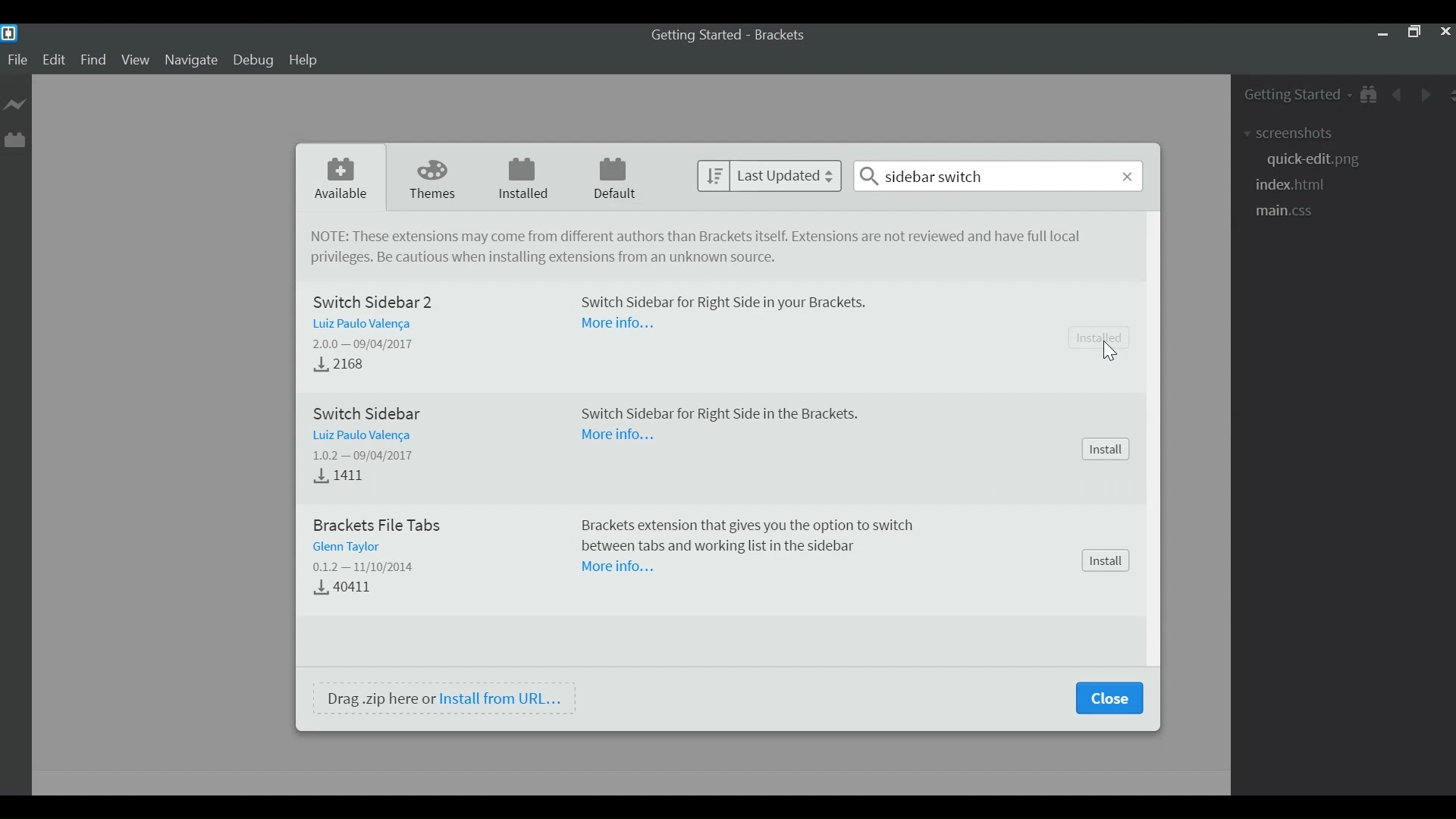 Image resolution: width=1456 pixels, height=819 pixels. I want to click on last Updated, so click(770, 175).